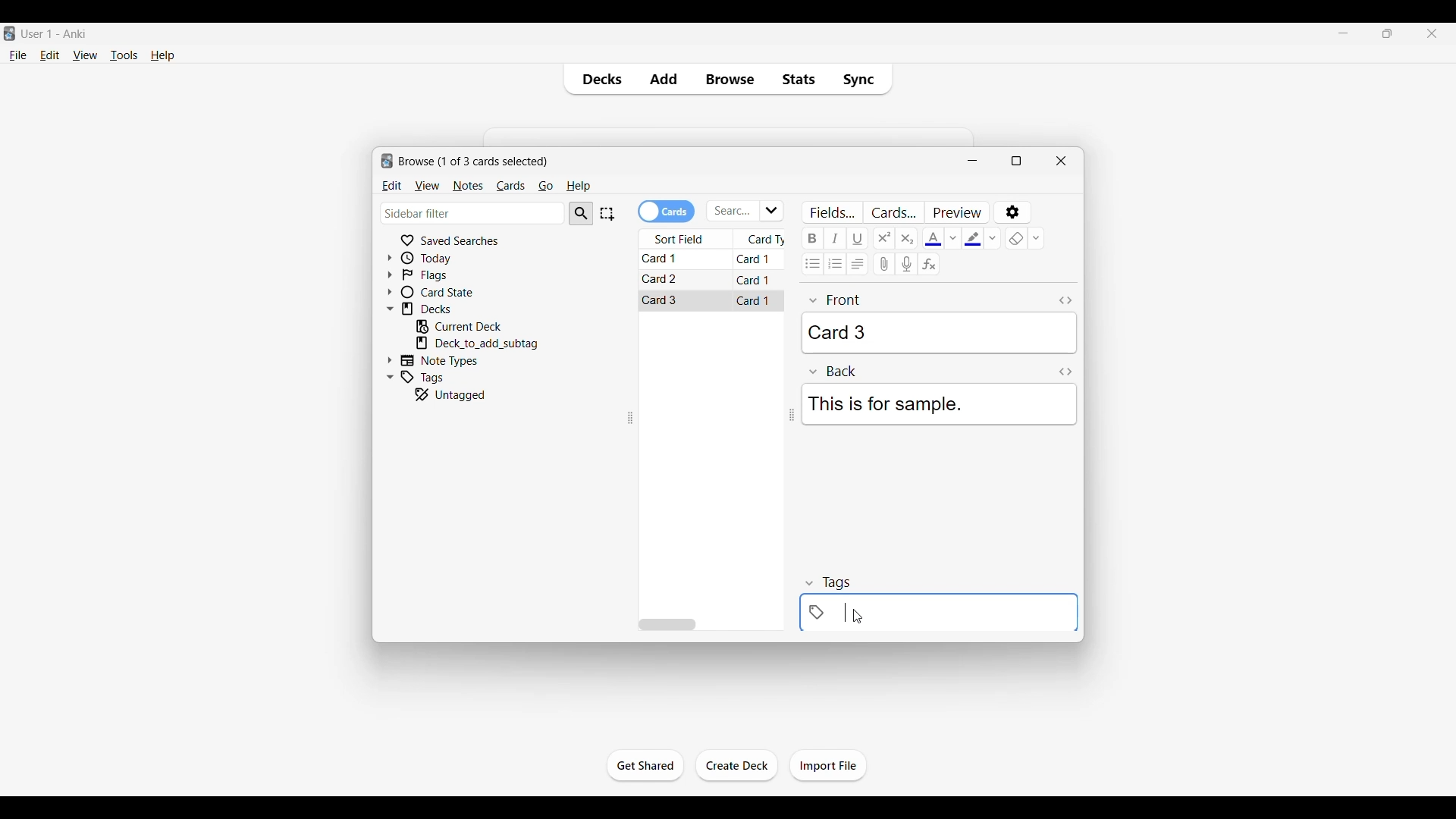 The image size is (1456, 819). What do you see at coordinates (18, 55) in the screenshot?
I see `File menu` at bounding box center [18, 55].